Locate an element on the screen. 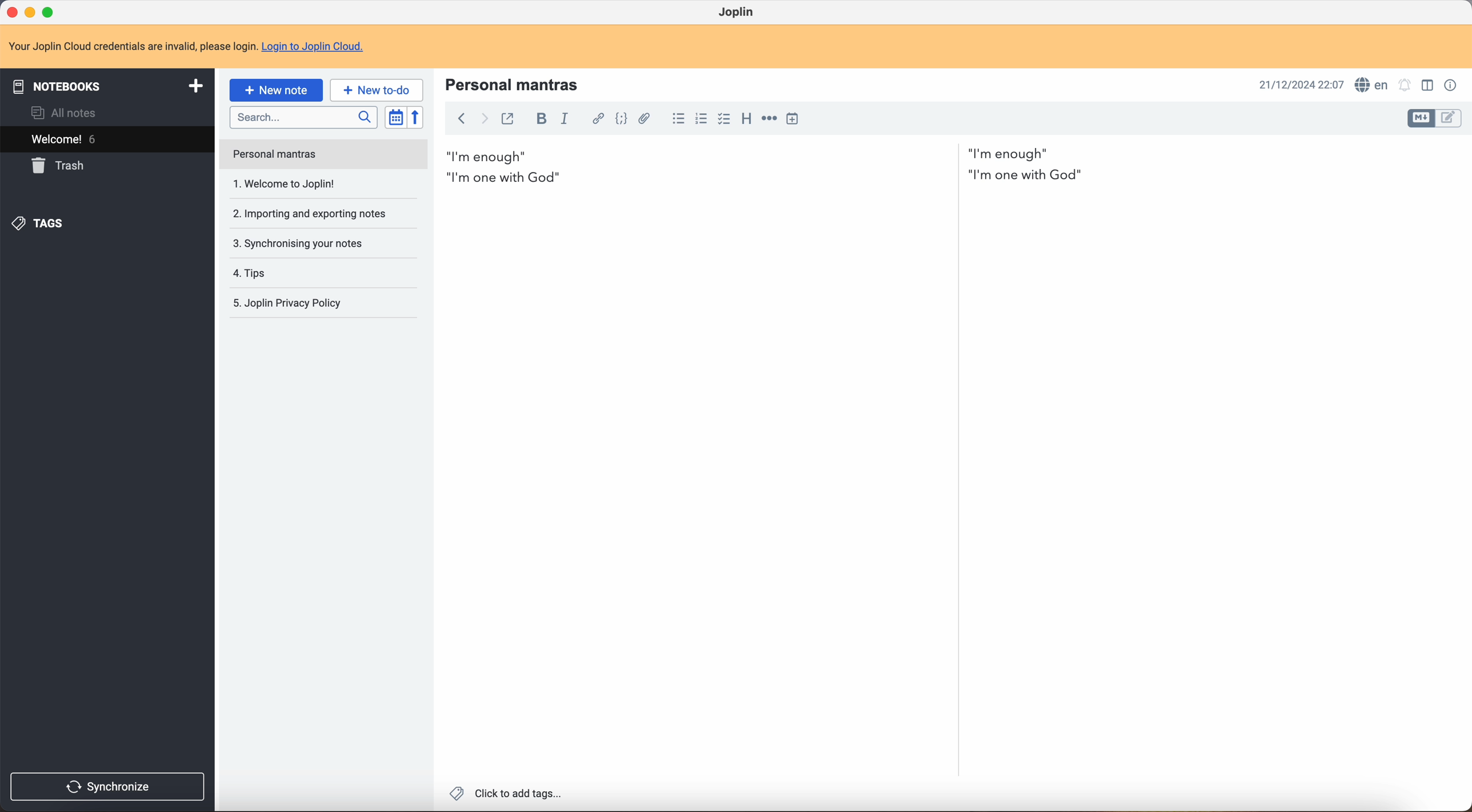 The width and height of the screenshot is (1472, 812). scroll bar is located at coordinates (956, 373).